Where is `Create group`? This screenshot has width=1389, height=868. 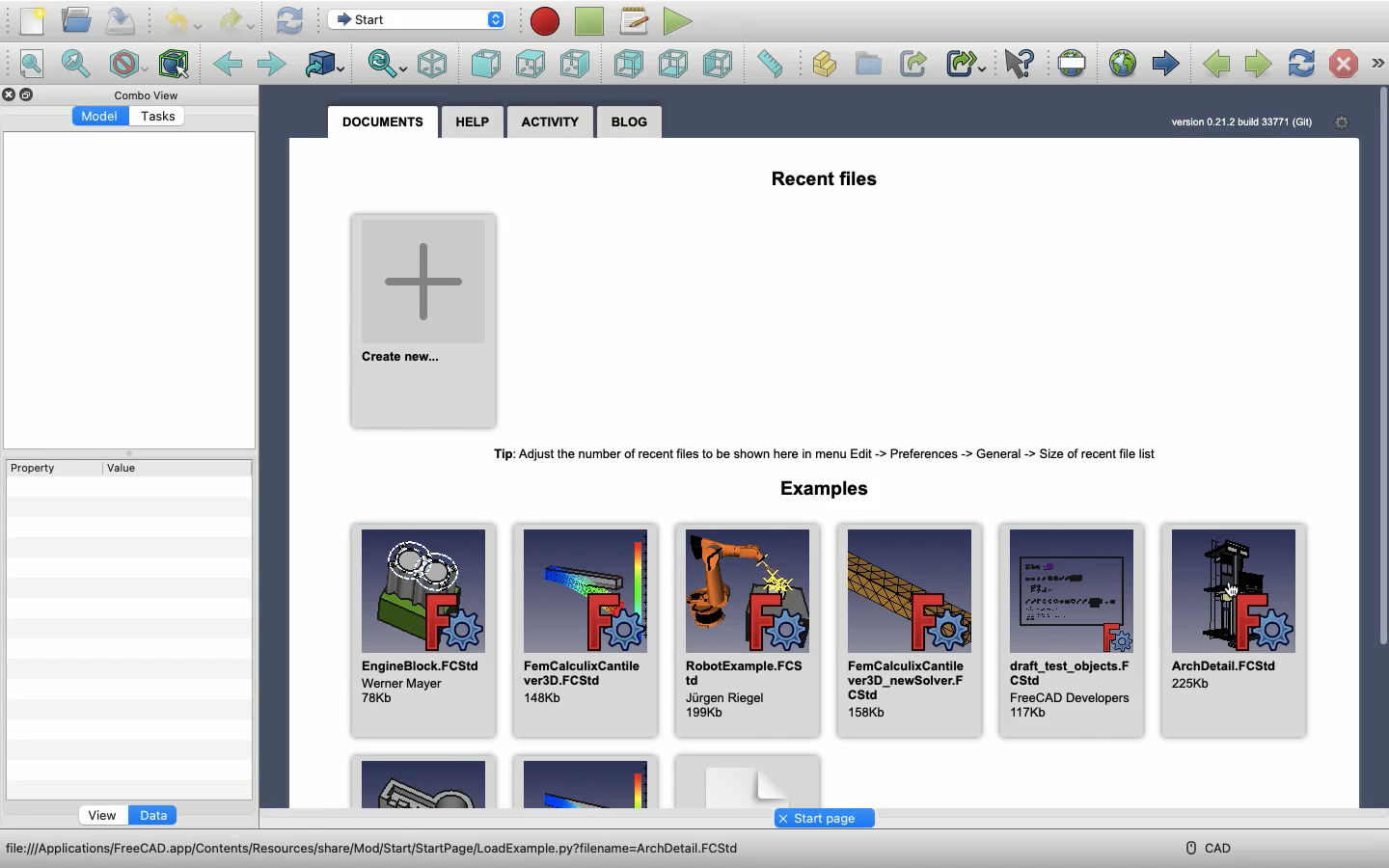 Create group is located at coordinates (867, 64).